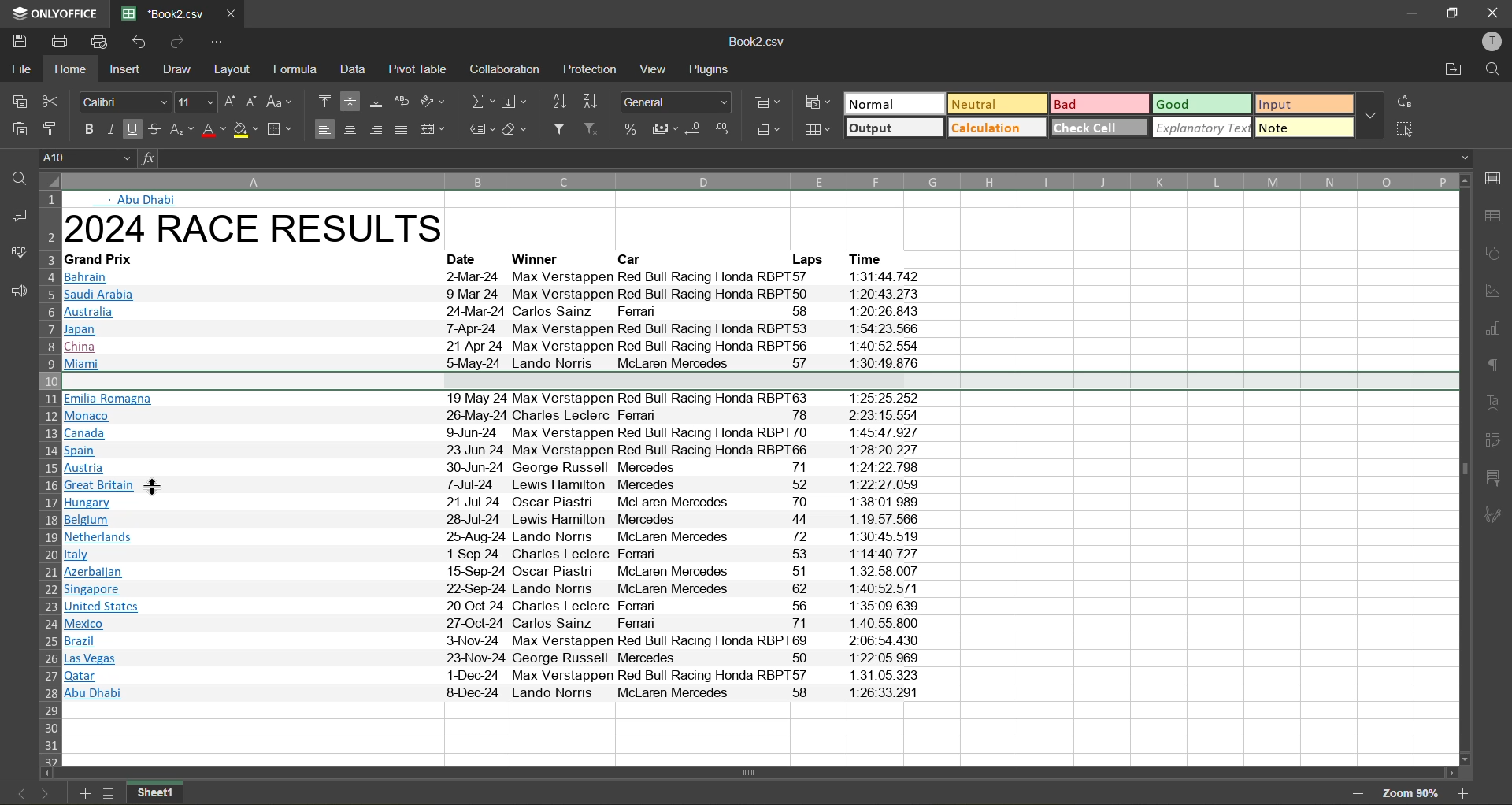 This screenshot has height=805, width=1512. Describe the element at coordinates (713, 69) in the screenshot. I see `plugins` at that location.